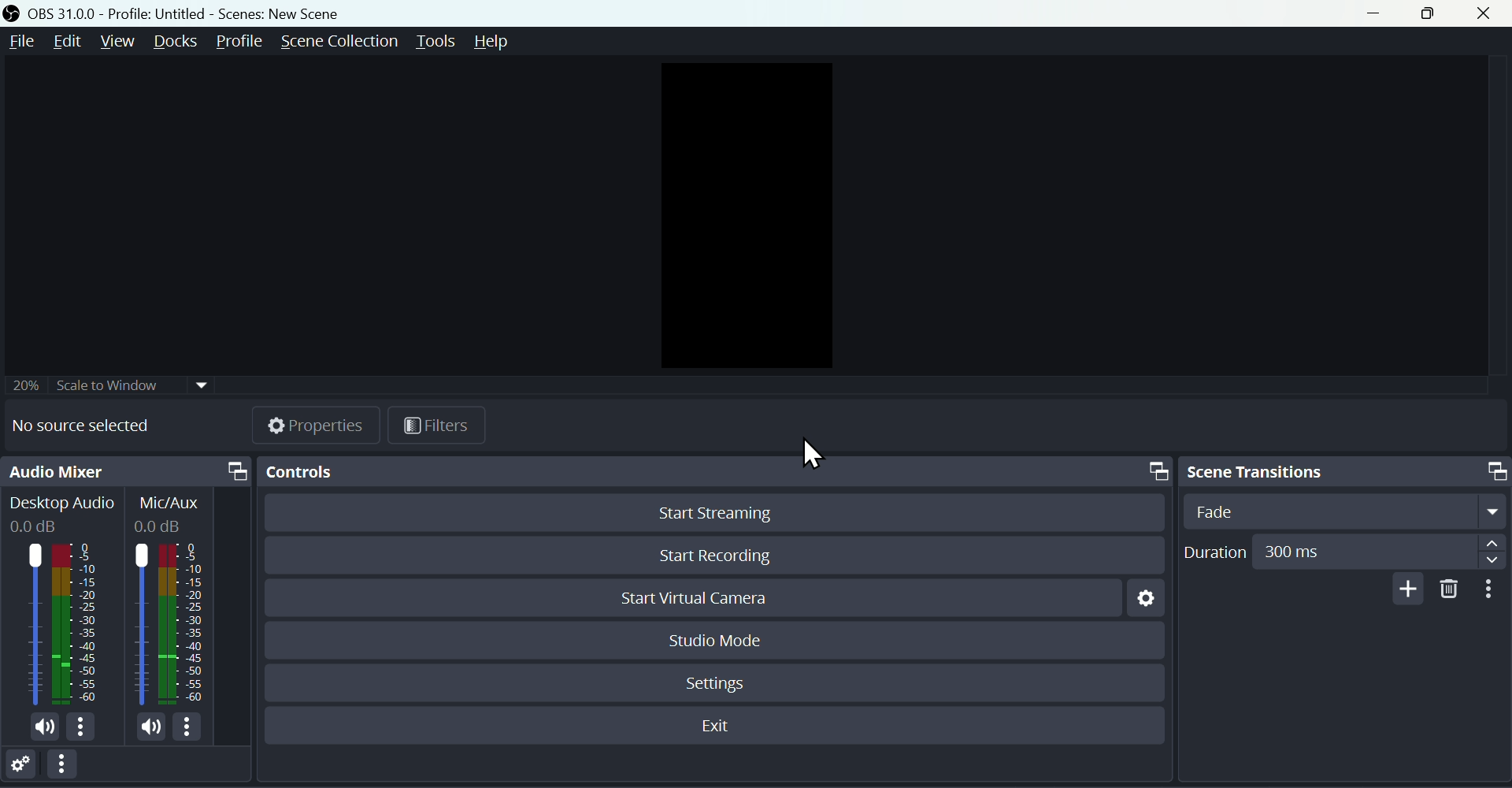  I want to click on Settings, so click(25, 767).